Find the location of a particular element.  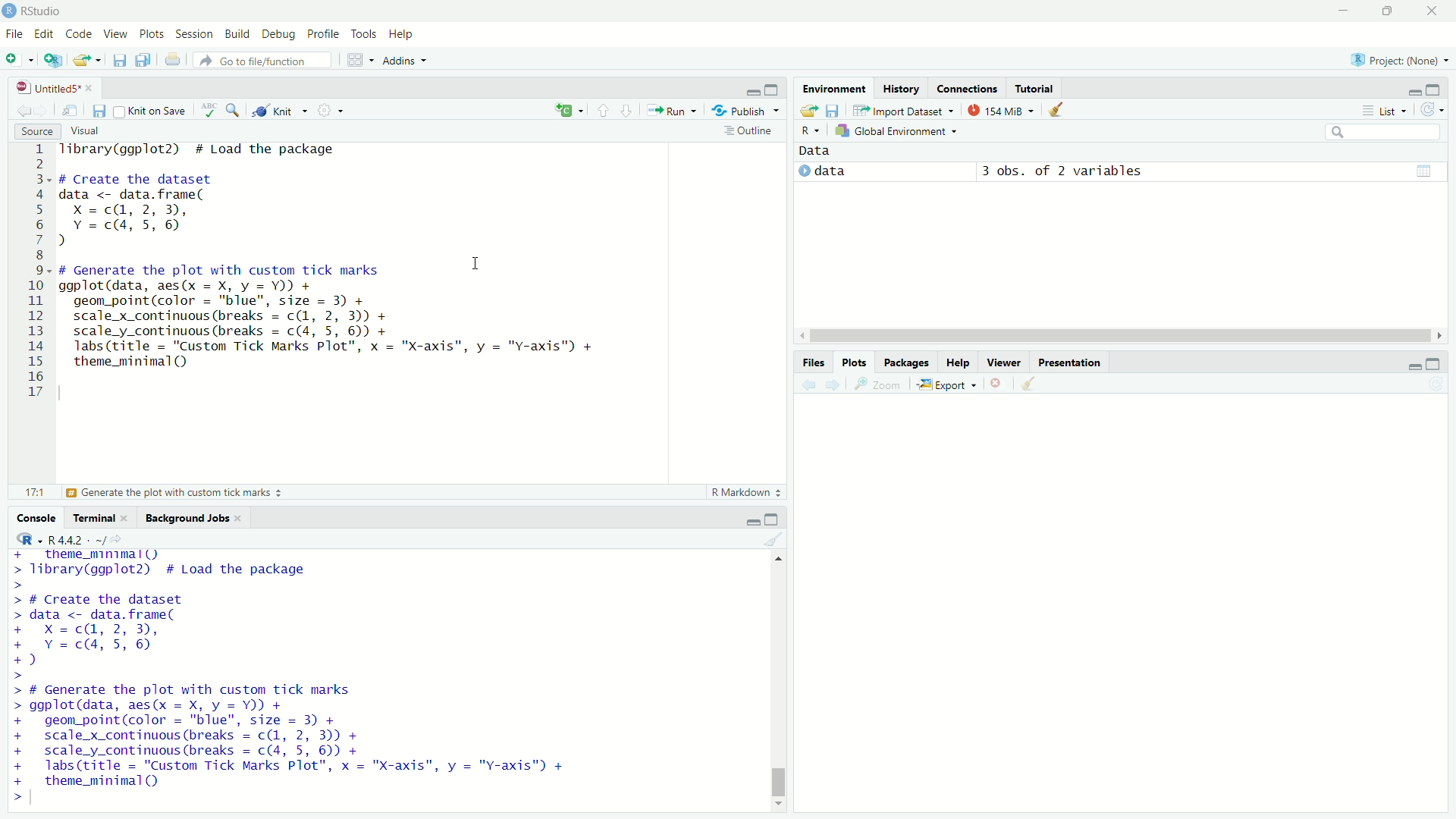

create a project is located at coordinates (53, 60).